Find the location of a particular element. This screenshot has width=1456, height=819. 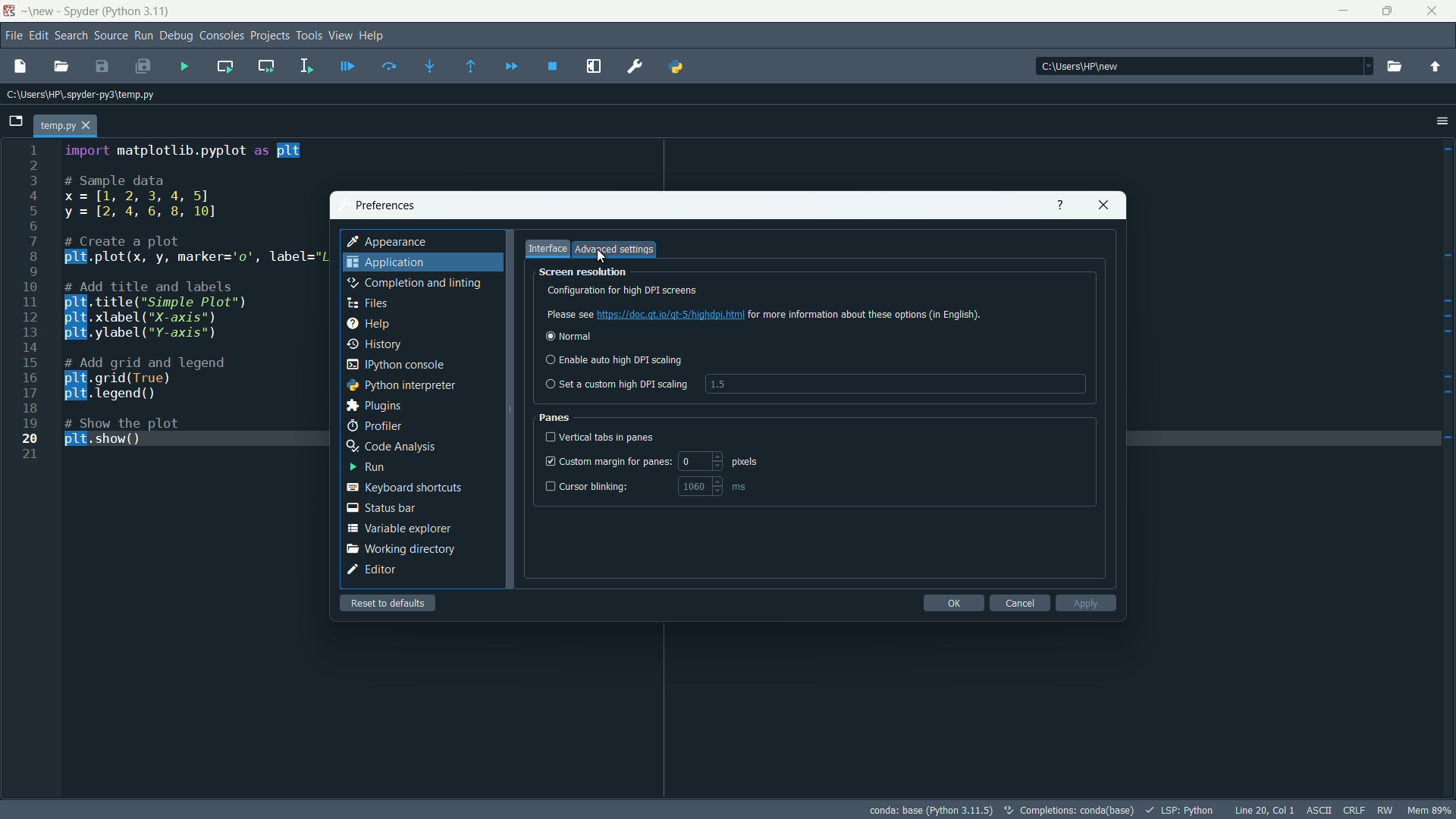

cursor is located at coordinates (601, 256).